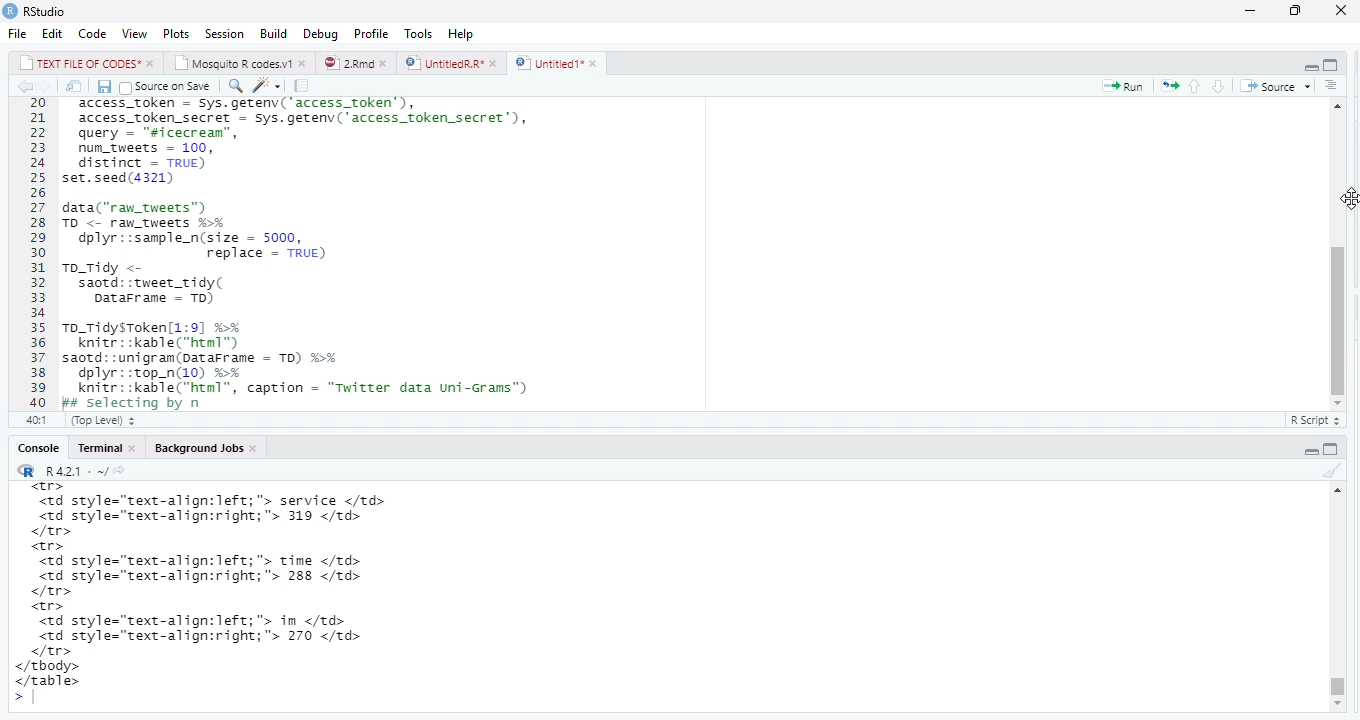  I want to click on  RStudio, so click(56, 11).